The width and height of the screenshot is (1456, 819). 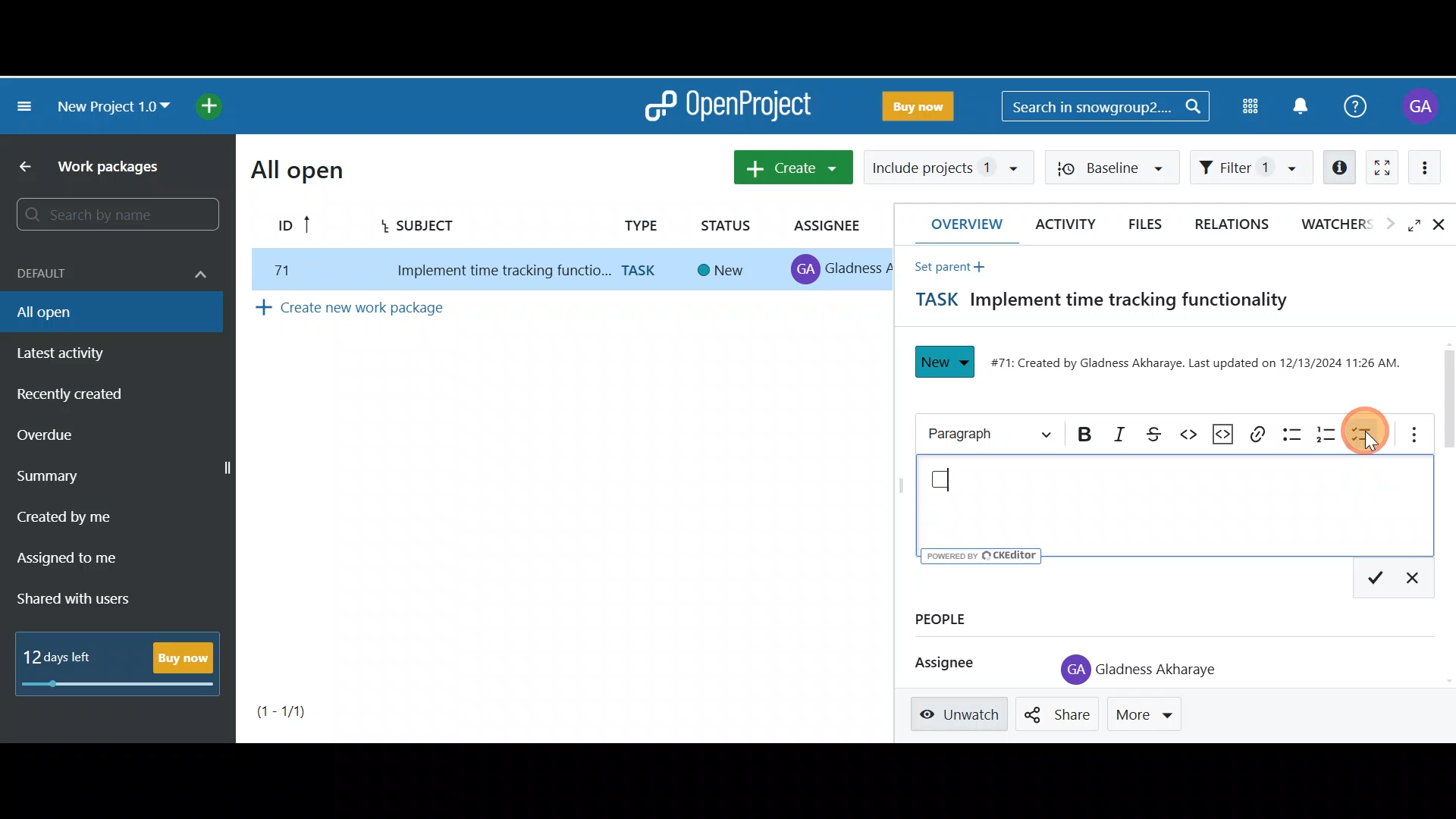 I want to click on Italic, so click(x=1119, y=433).